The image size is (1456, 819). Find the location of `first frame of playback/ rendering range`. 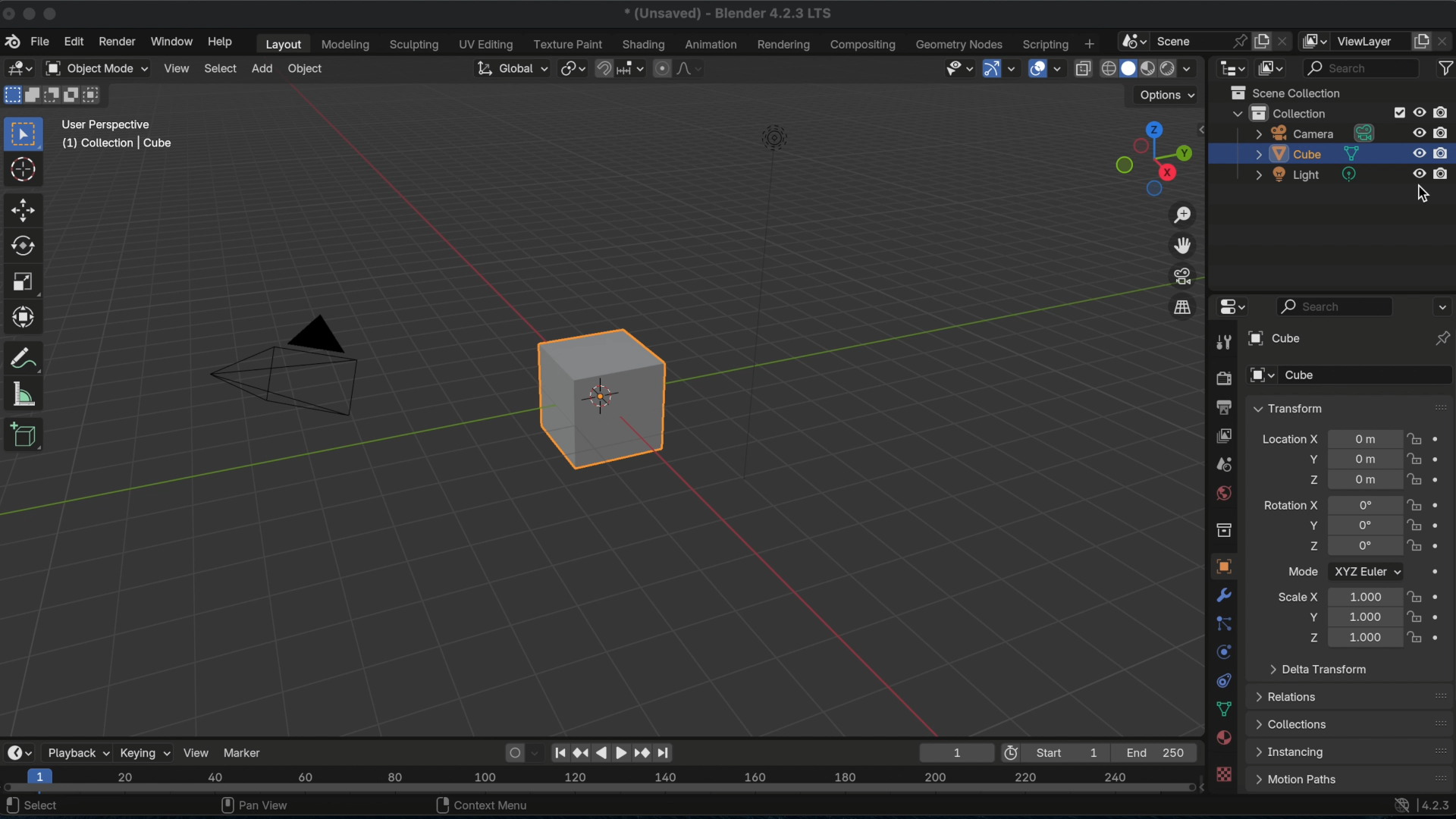

first frame of playback/ rendering range is located at coordinates (1058, 754).